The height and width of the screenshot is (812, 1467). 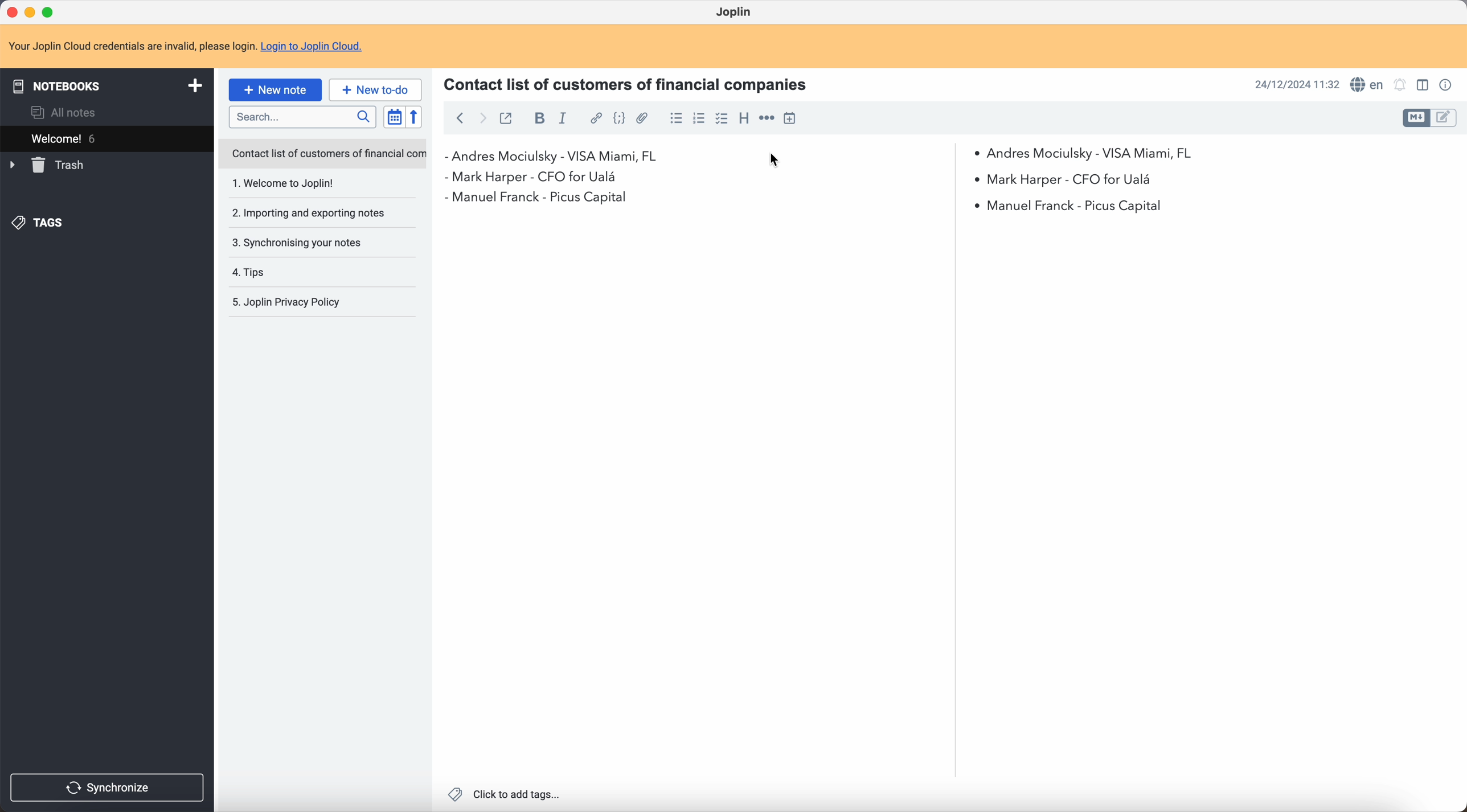 I want to click on set notifications, so click(x=1400, y=85).